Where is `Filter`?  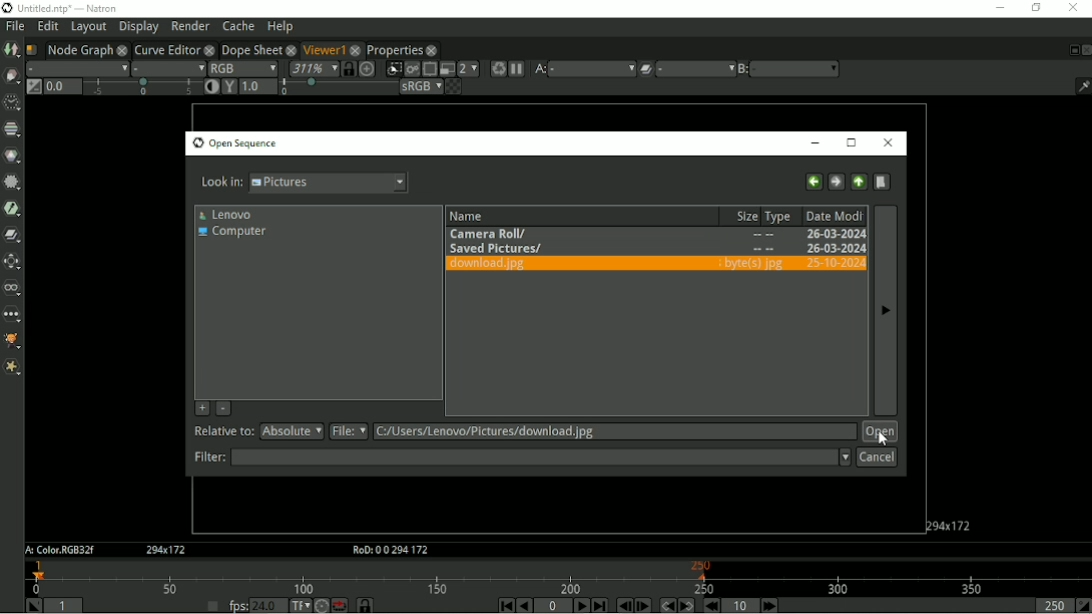 Filter is located at coordinates (541, 458).